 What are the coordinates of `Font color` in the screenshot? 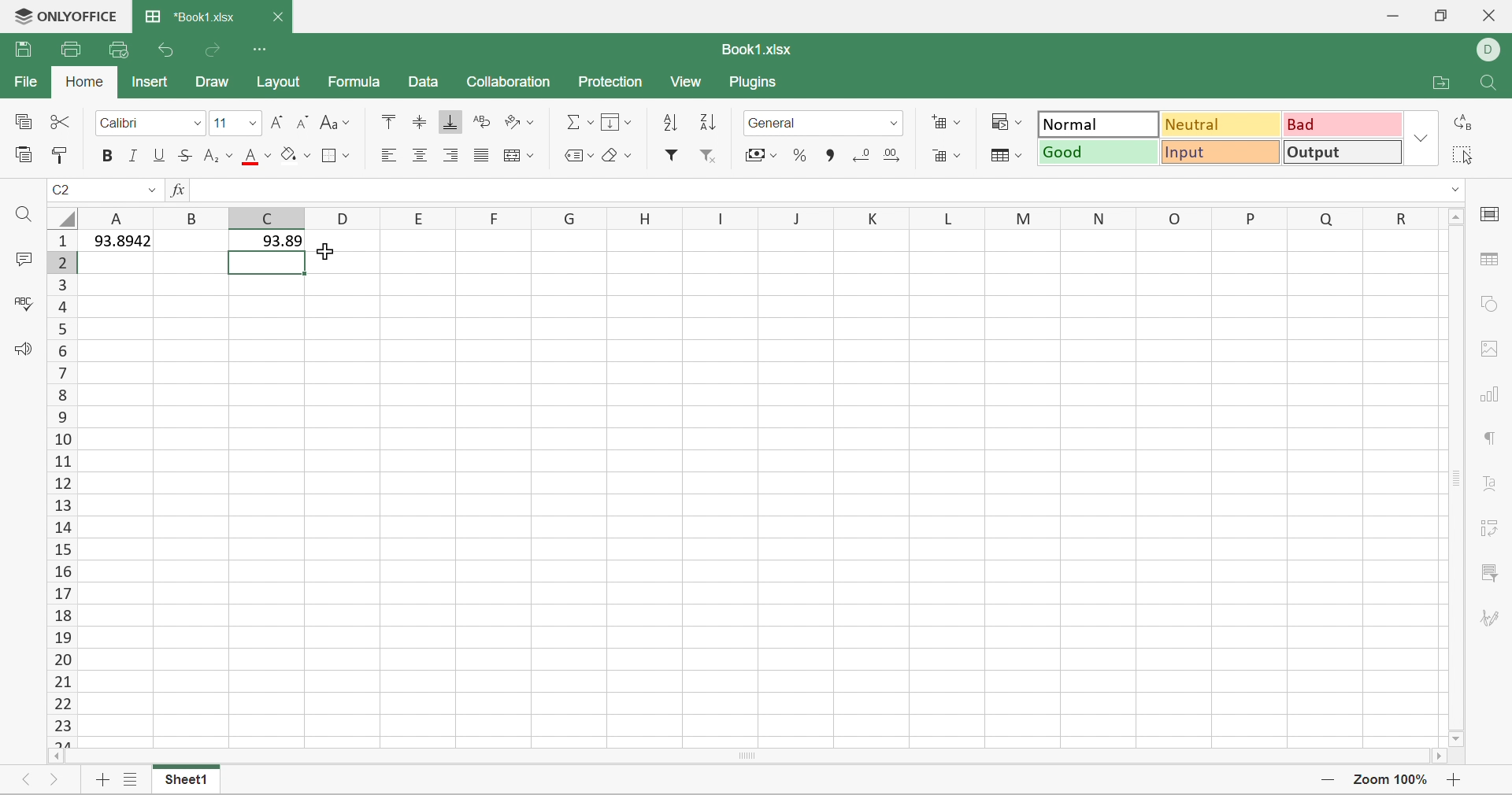 It's located at (256, 157).